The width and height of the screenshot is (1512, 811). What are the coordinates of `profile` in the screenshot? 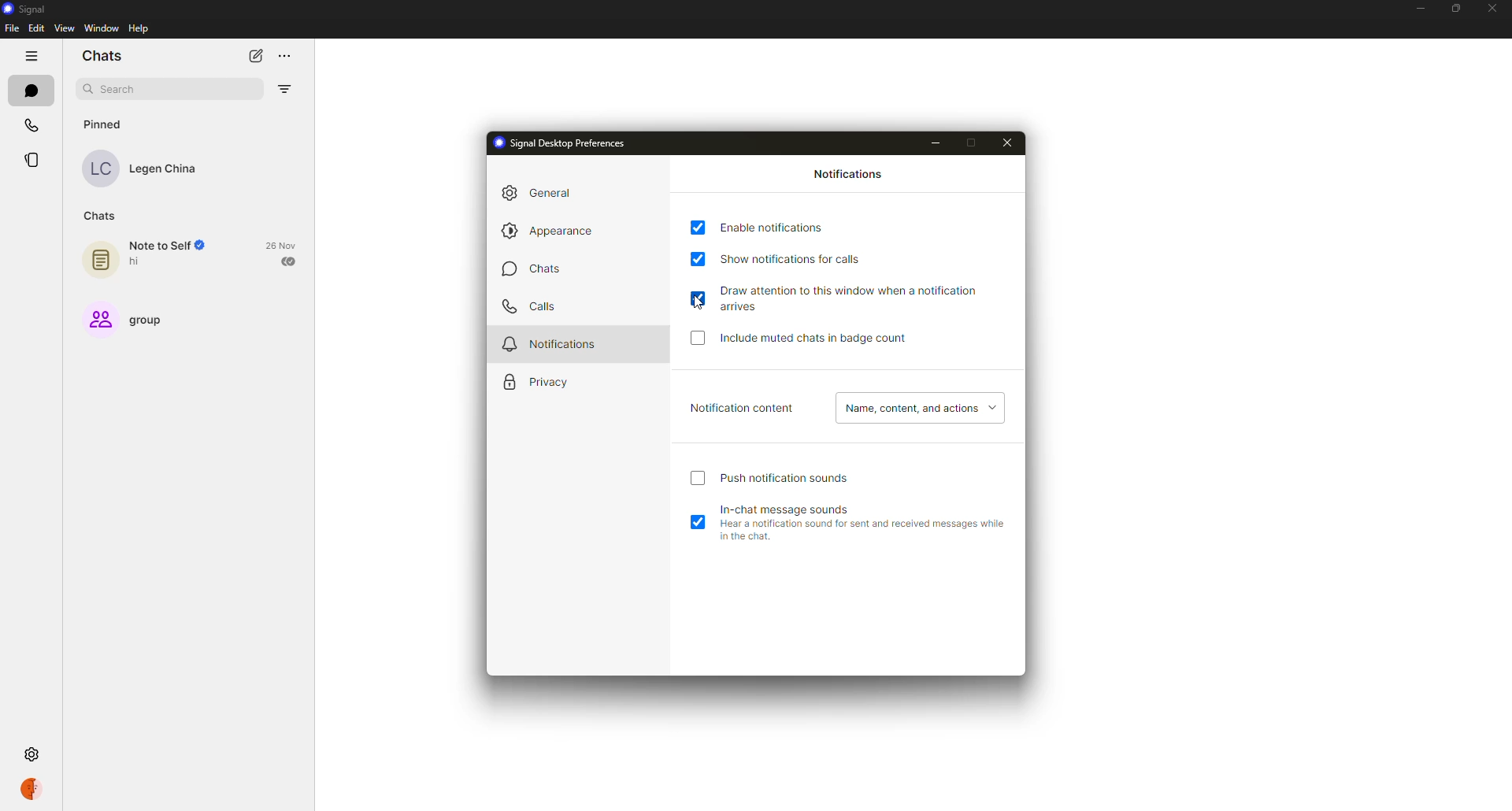 It's located at (36, 788).